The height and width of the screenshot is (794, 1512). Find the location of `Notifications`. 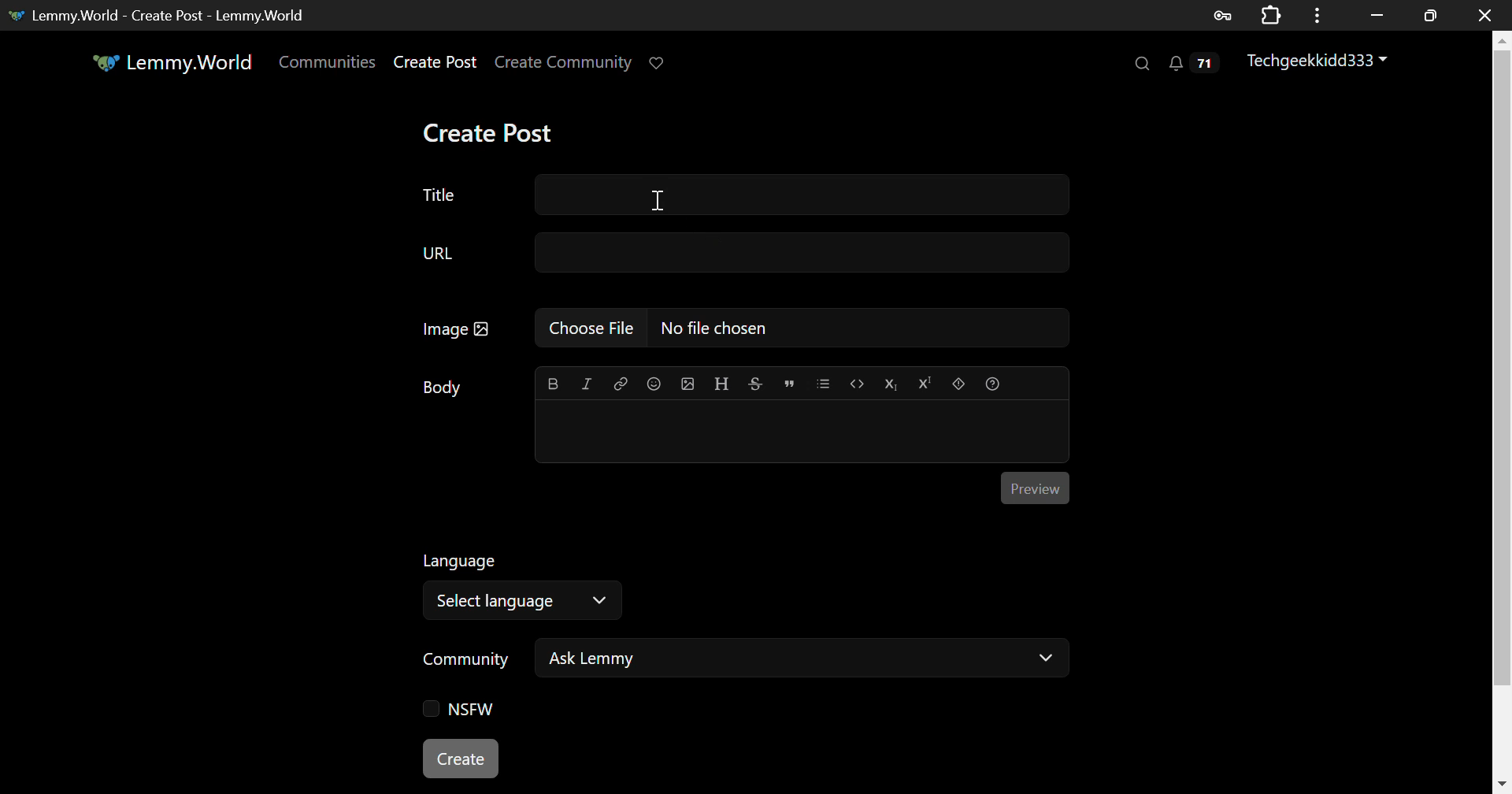

Notifications is located at coordinates (1197, 64).